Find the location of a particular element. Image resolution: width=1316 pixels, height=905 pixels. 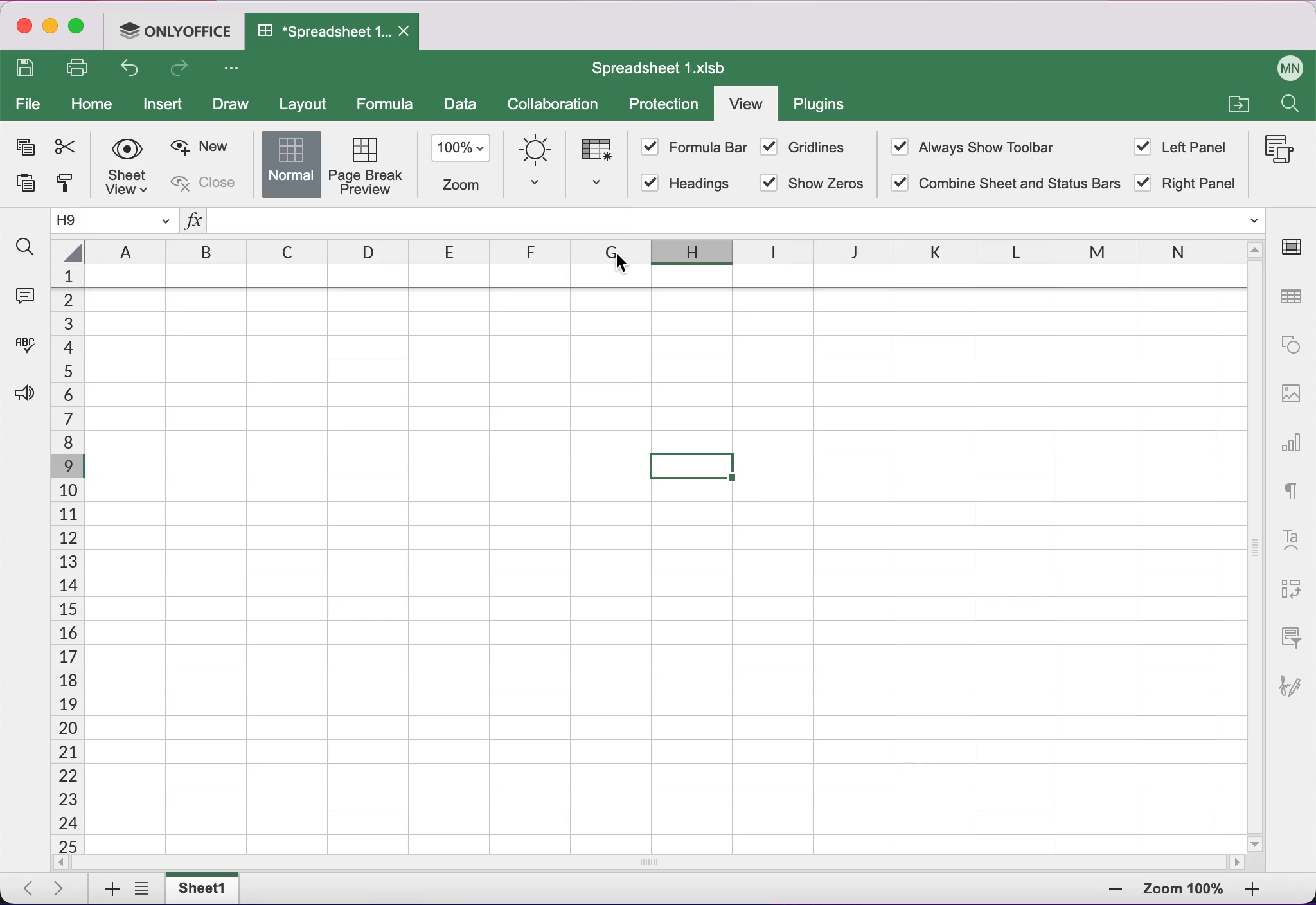

headings is located at coordinates (686, 183).